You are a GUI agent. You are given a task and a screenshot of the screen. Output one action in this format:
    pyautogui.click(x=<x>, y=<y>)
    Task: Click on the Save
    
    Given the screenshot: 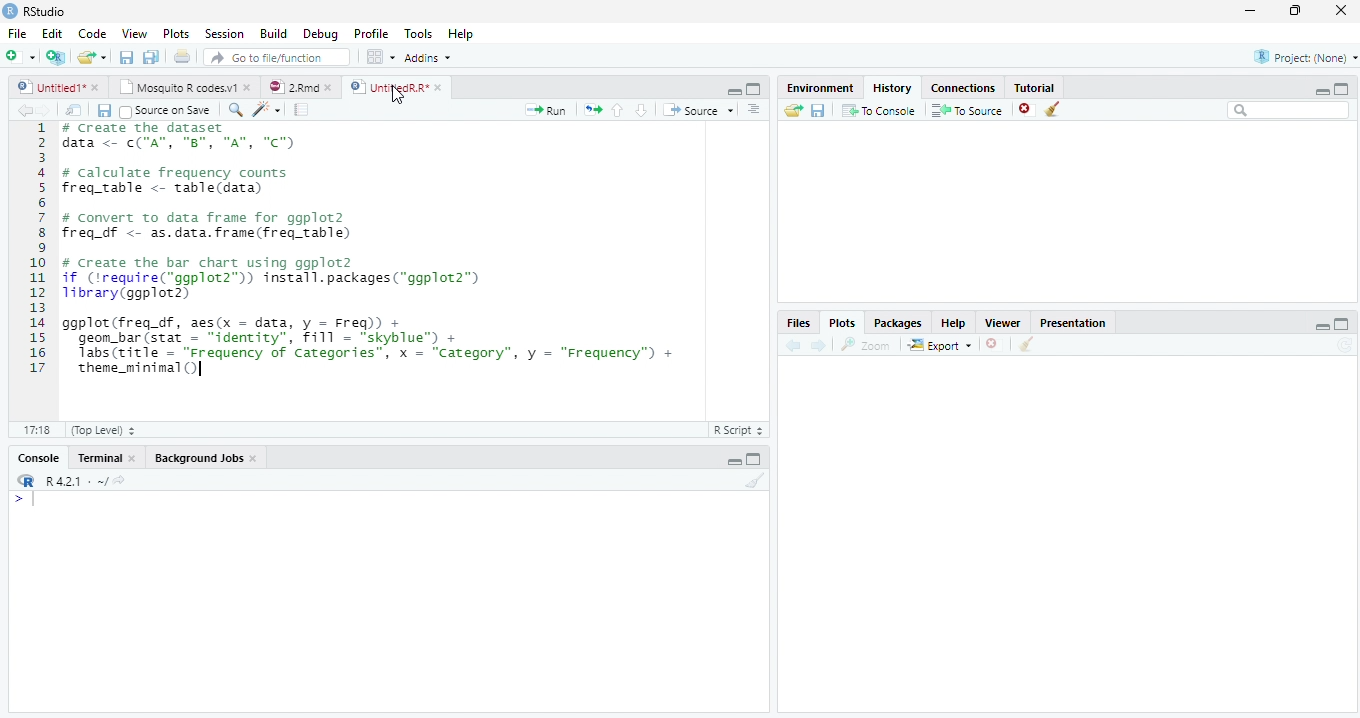 What is the action you would take?
    pyautogui.click(x=126, y=58)
    